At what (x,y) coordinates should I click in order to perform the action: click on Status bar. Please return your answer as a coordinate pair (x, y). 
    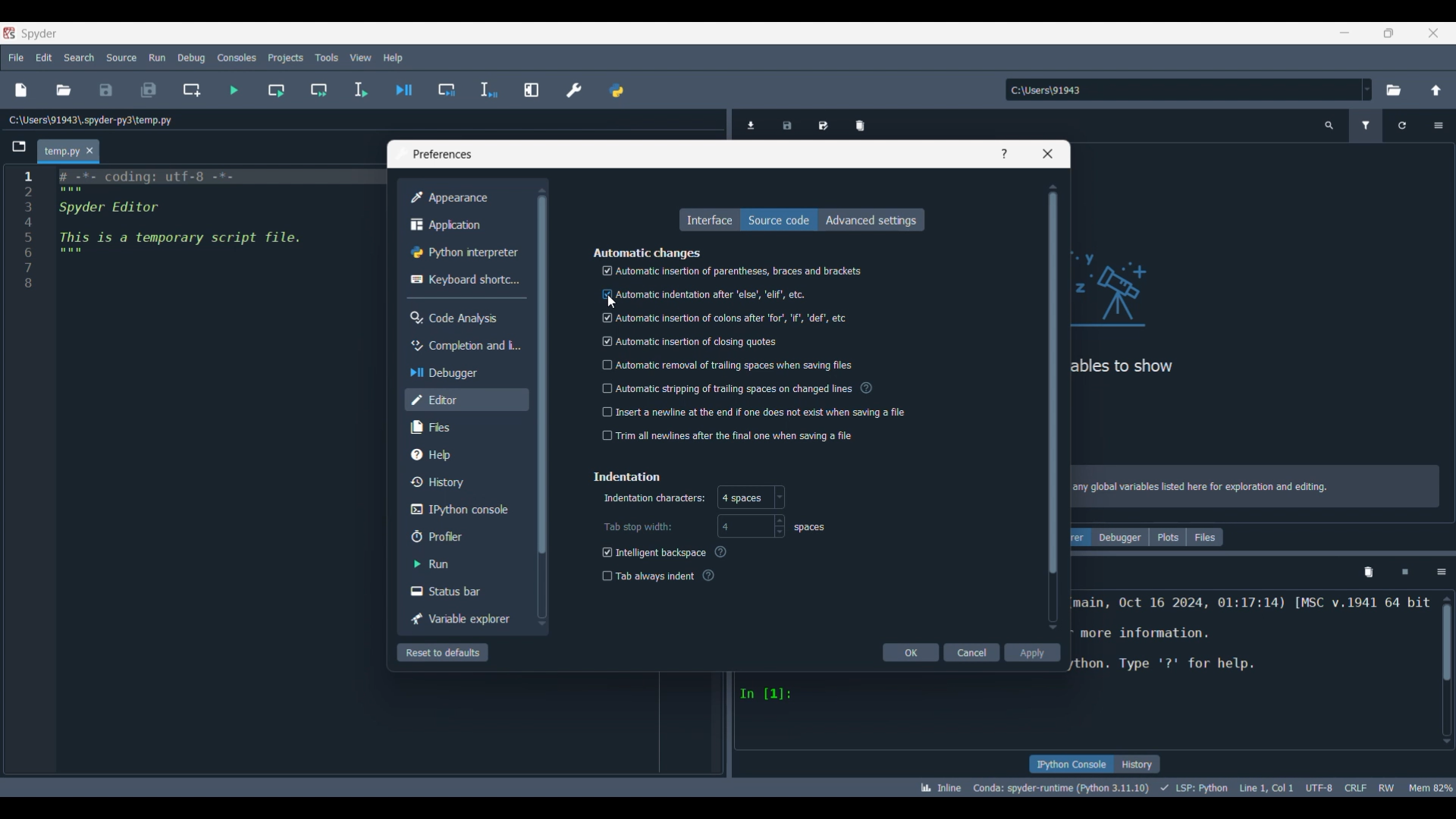
    Looking at the image, I should click on (464, 591).